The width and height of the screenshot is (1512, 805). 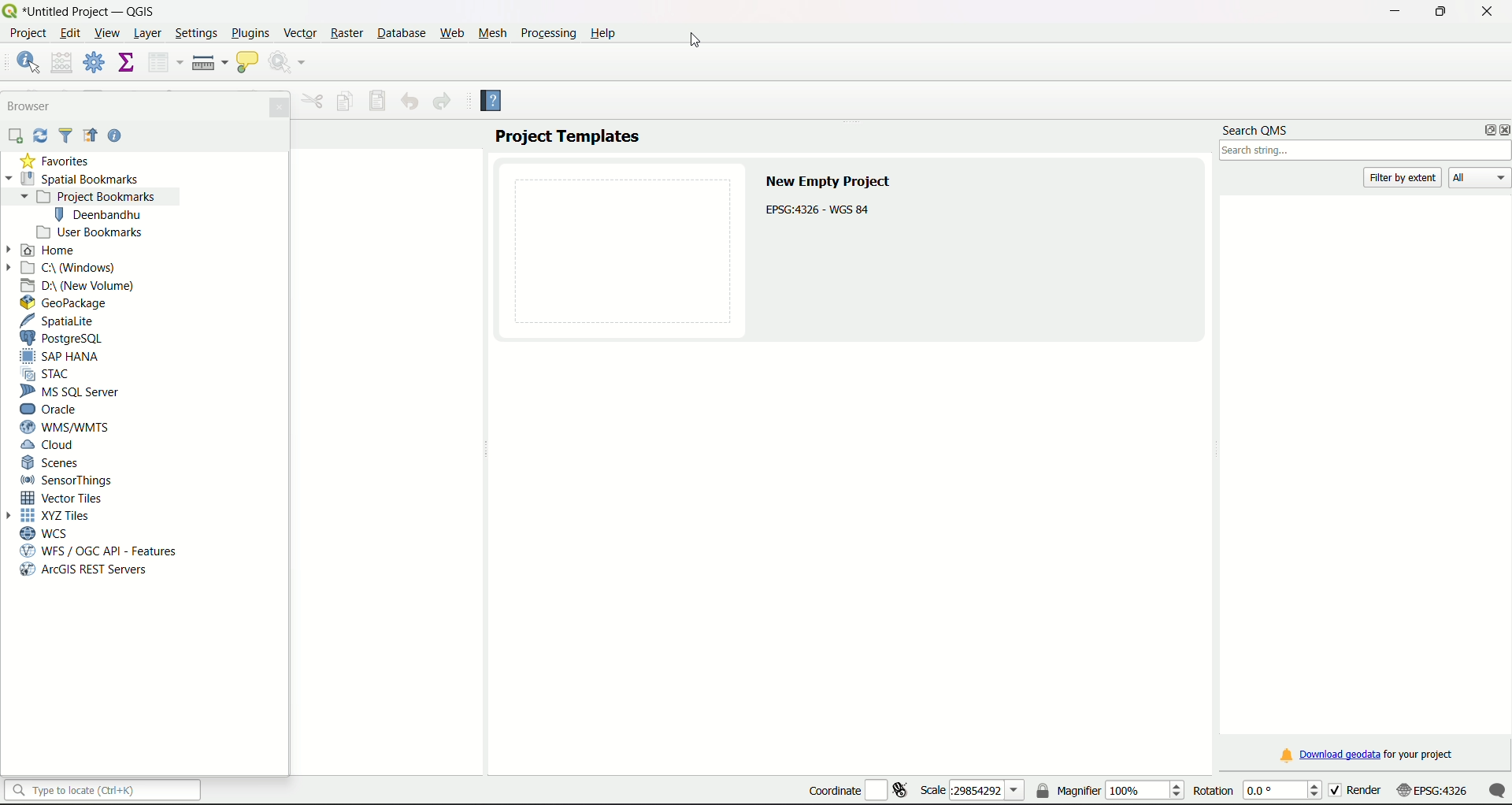 What do you see at coordinates (66, 136) in the screenshot?
I see `Filter` at bounding box center [66, 136].